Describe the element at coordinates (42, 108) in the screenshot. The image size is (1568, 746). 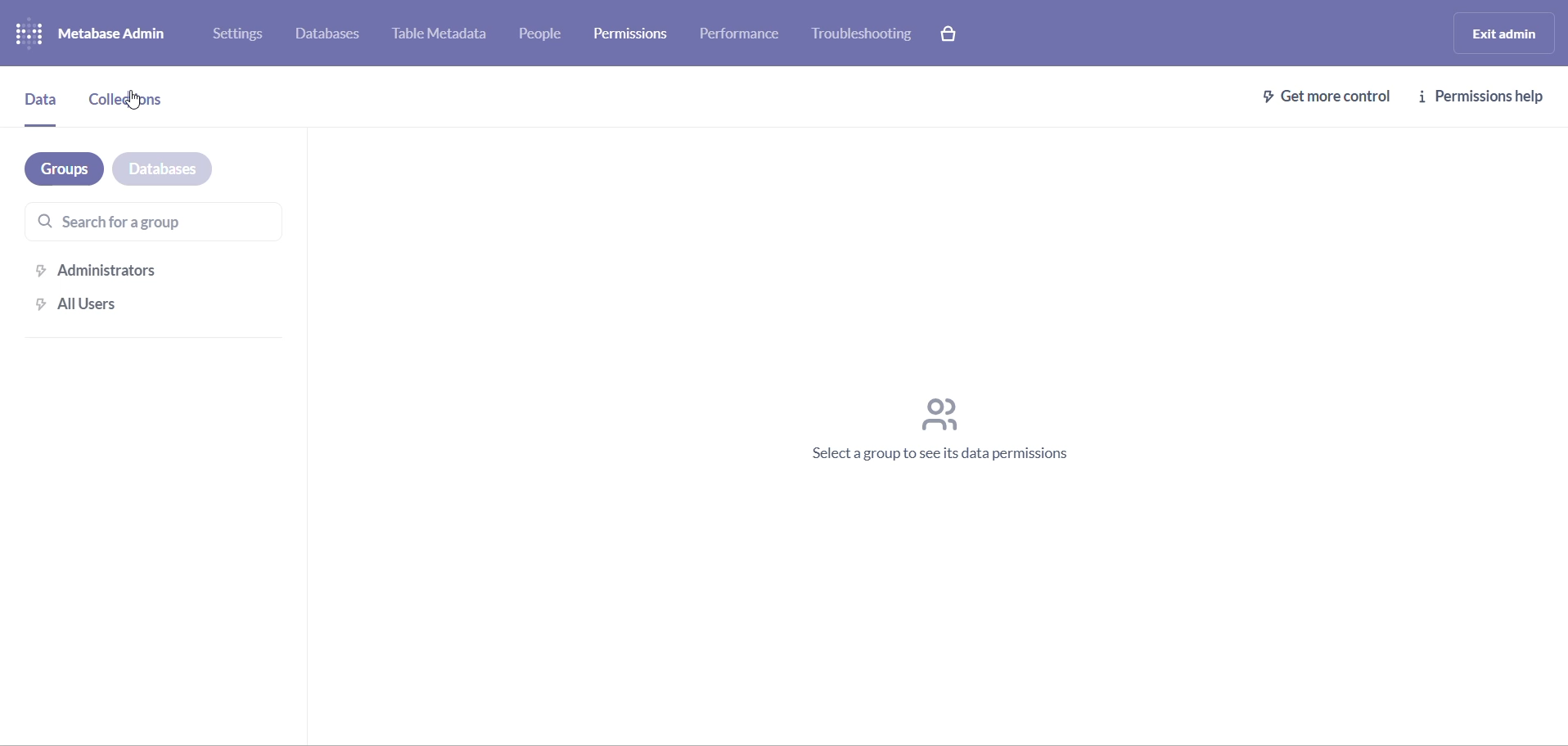
I see `data` at that location.